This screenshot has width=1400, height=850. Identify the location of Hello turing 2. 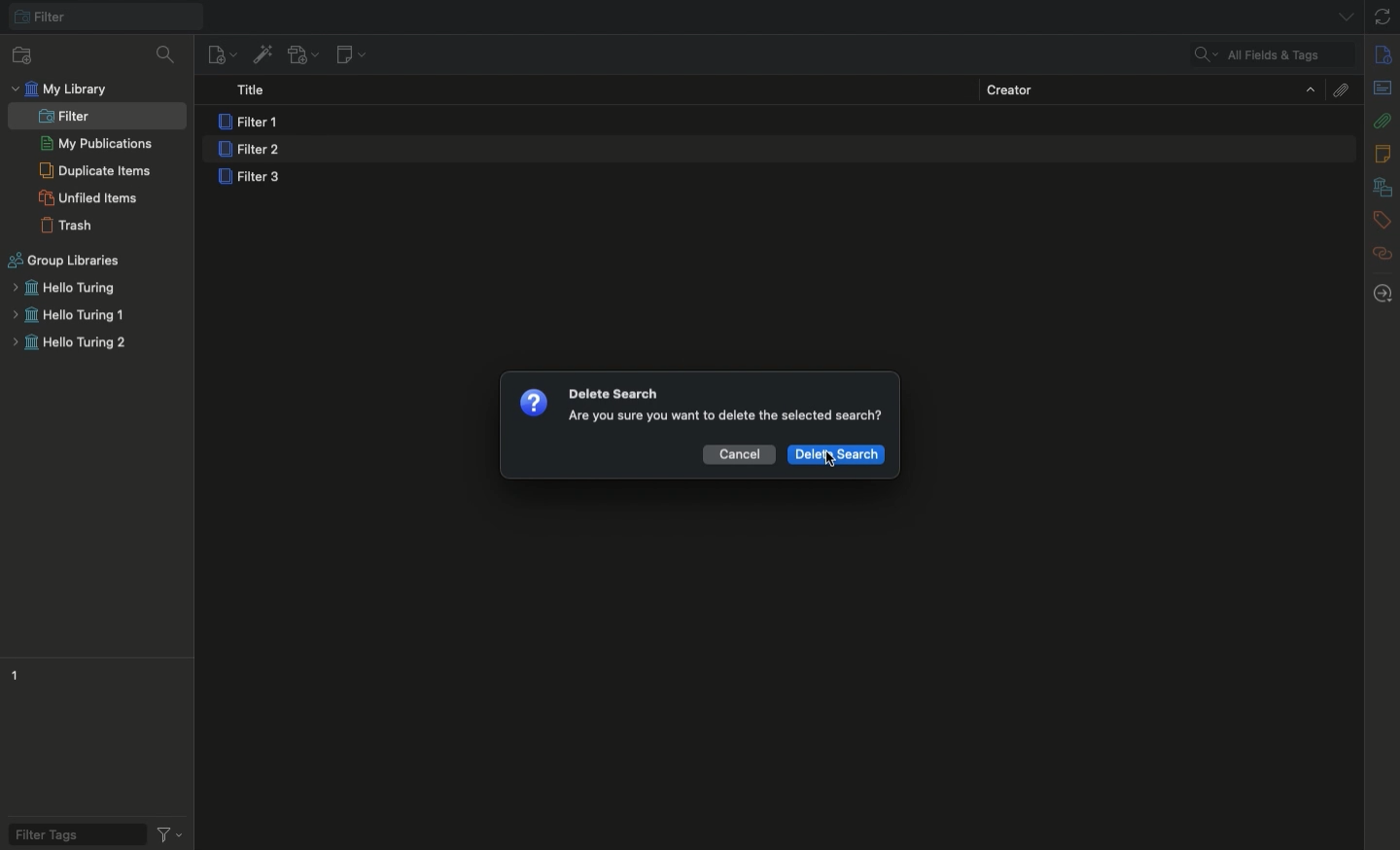
(69, 345).